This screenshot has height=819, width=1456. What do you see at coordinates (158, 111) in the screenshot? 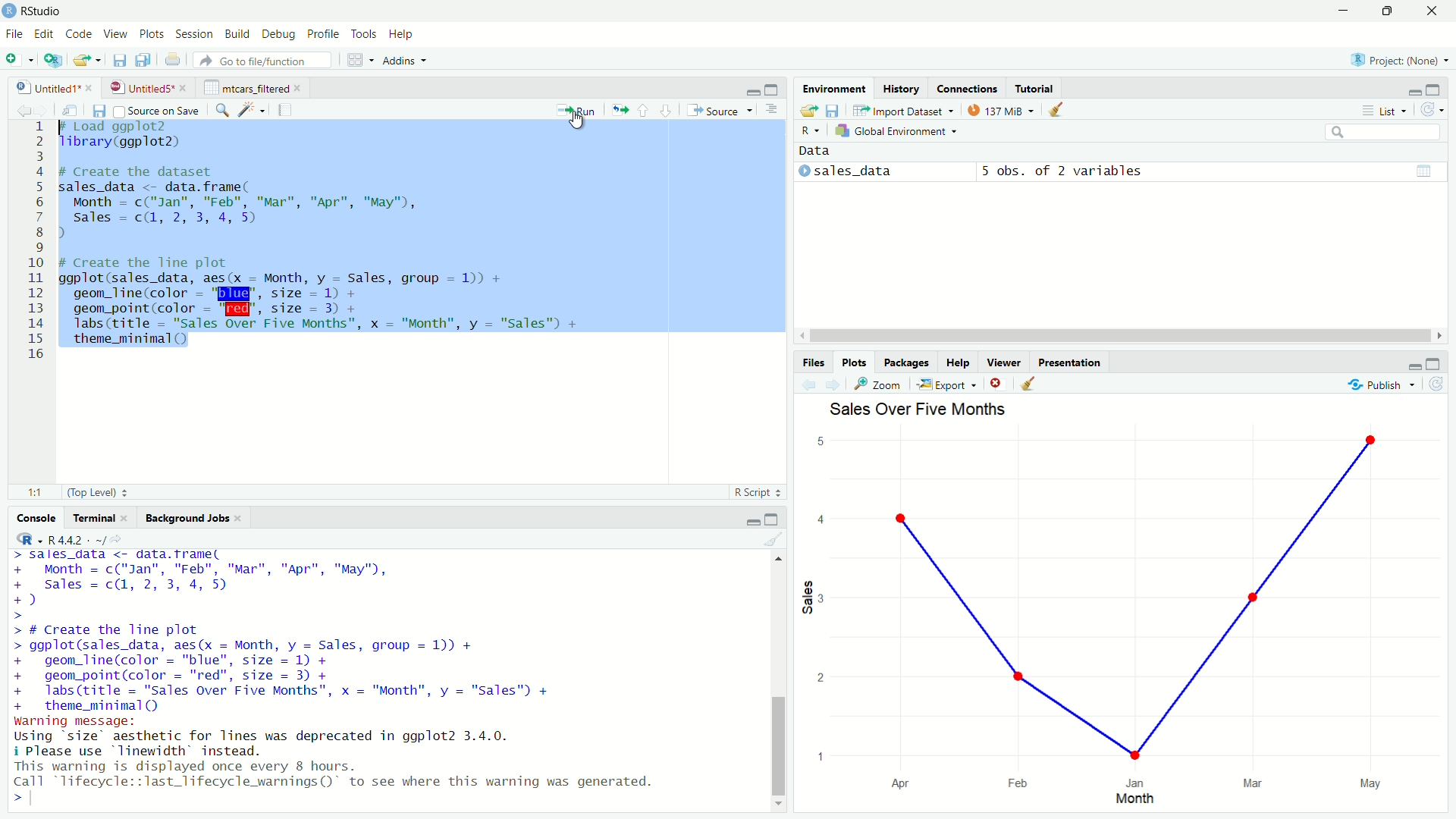
I see `source on save` at bounding box center [158, 111].